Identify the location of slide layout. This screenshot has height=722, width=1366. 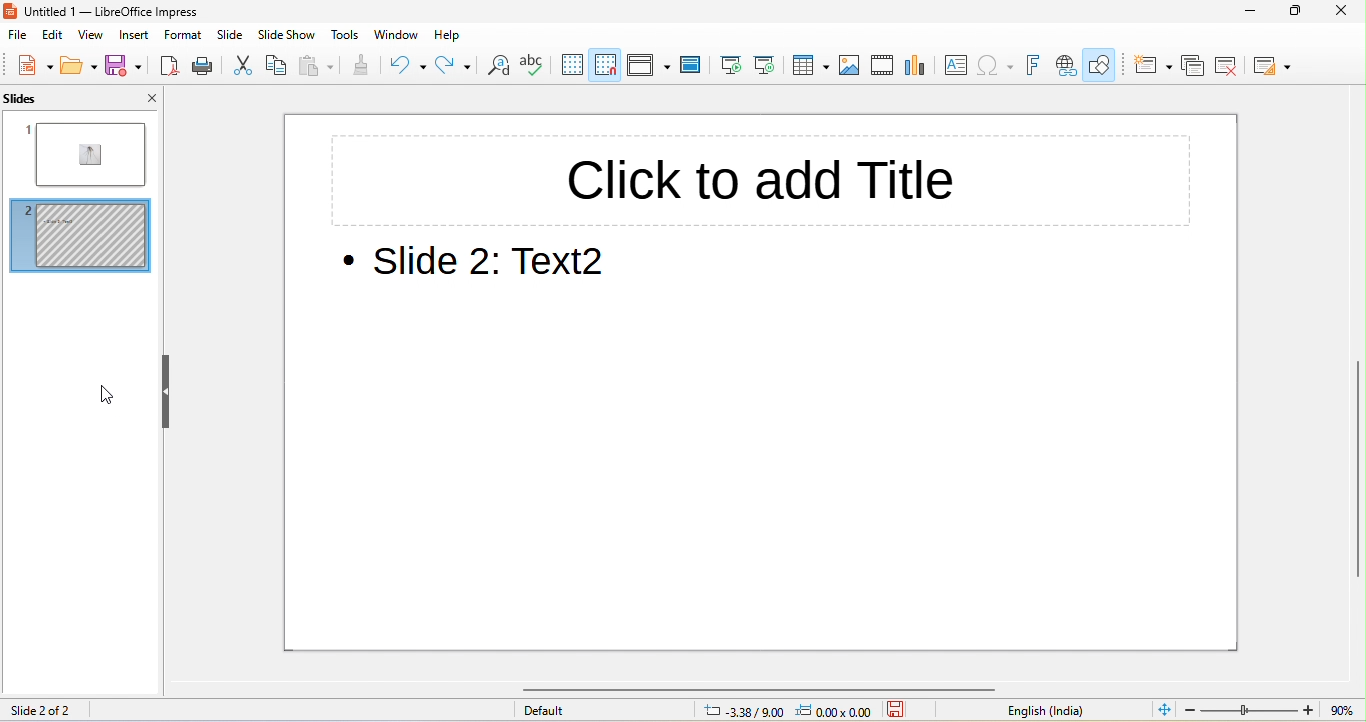
(1275, 67).